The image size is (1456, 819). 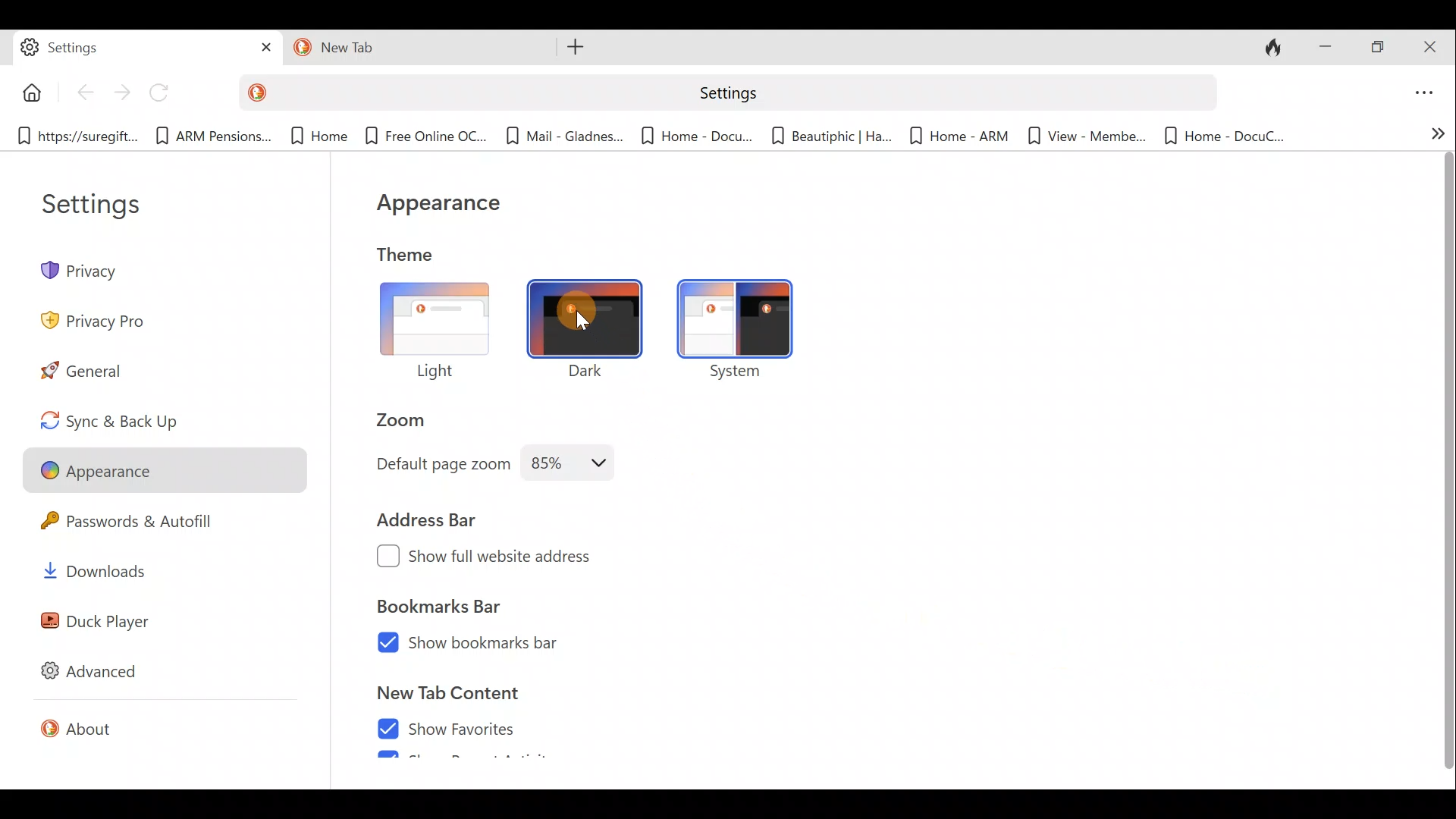 I want to click on Light, so click(x=431, y=334).